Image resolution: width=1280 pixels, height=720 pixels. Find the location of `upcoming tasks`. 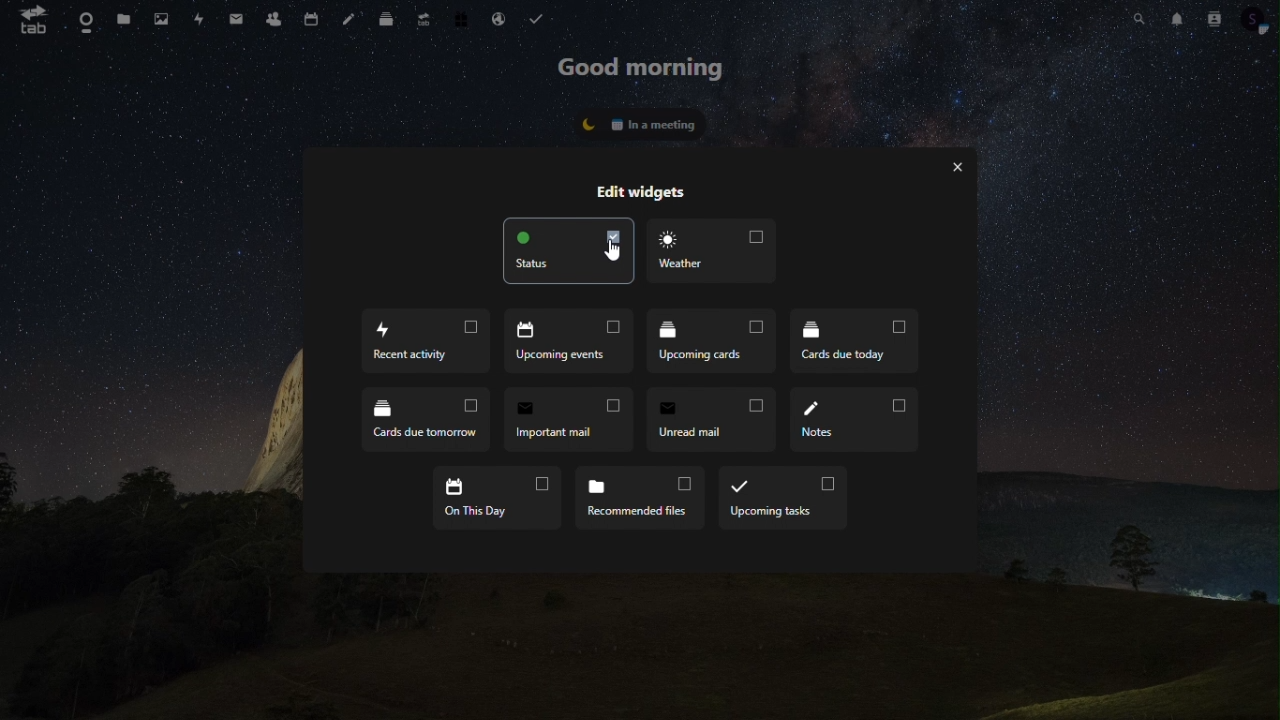

upcoming tasks is located at coordinates (784, 497).